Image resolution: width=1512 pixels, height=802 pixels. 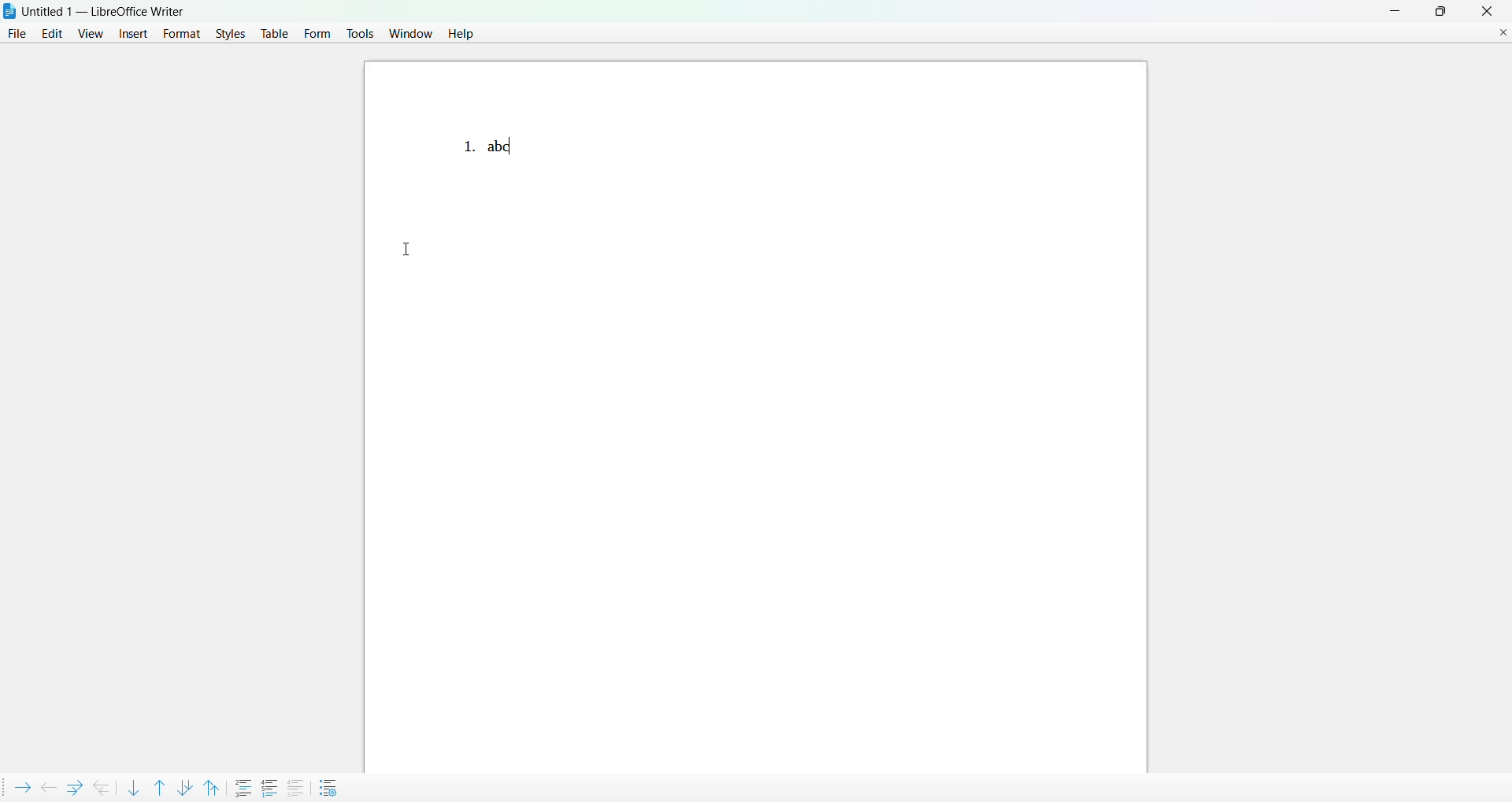 What do you see at coordinates (271, 785) in the screenshot?
I see `restart numbering` at bounding box center [271, 785].